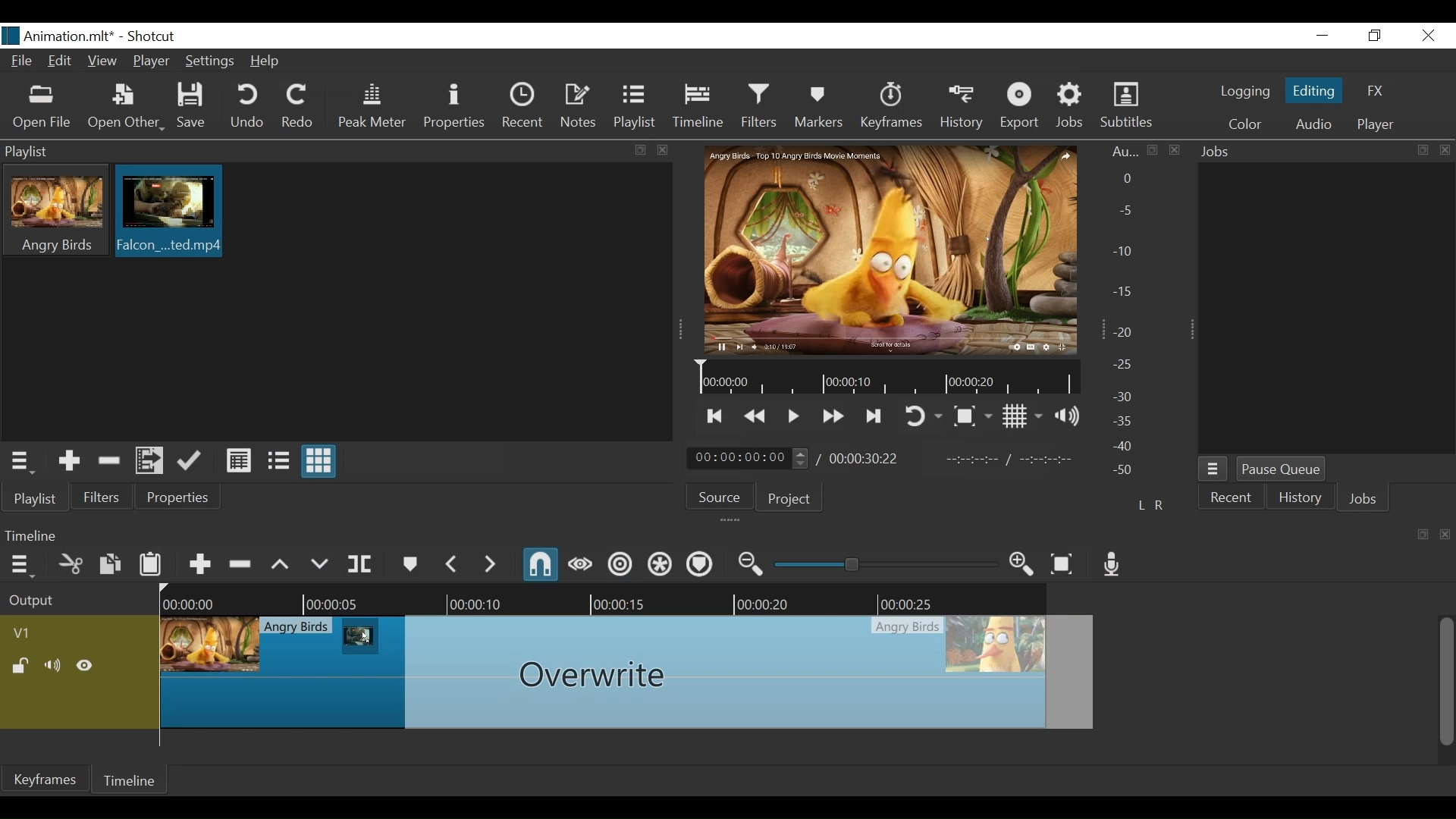  Describe the element at coordinates (110, 460) in the screenshot. I see `Remove Cut` at that location.